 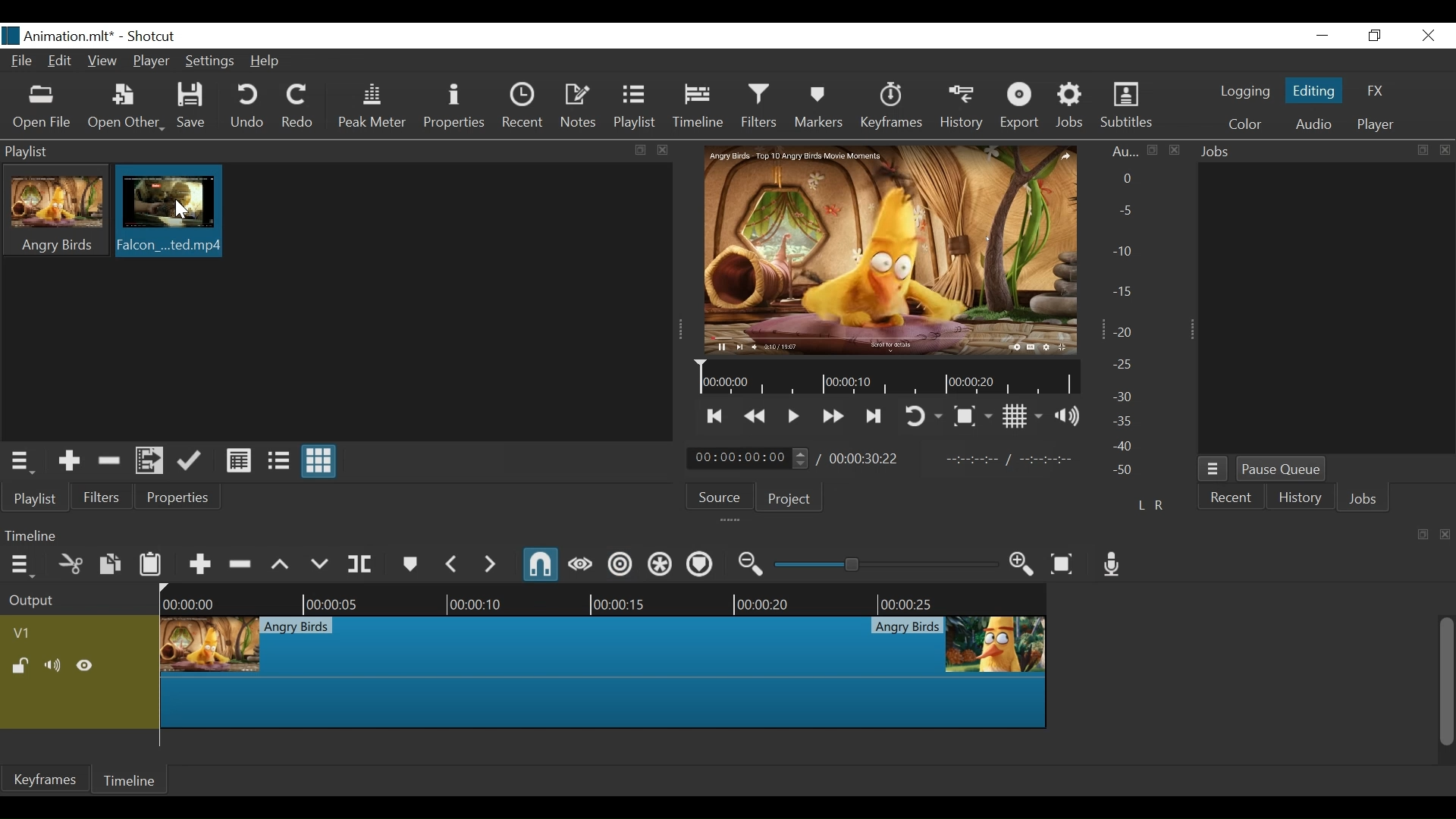 What do you see at coordinates (1375, 36) in the screenshot?
I see `Restore` at bounding box center [1375, 36].